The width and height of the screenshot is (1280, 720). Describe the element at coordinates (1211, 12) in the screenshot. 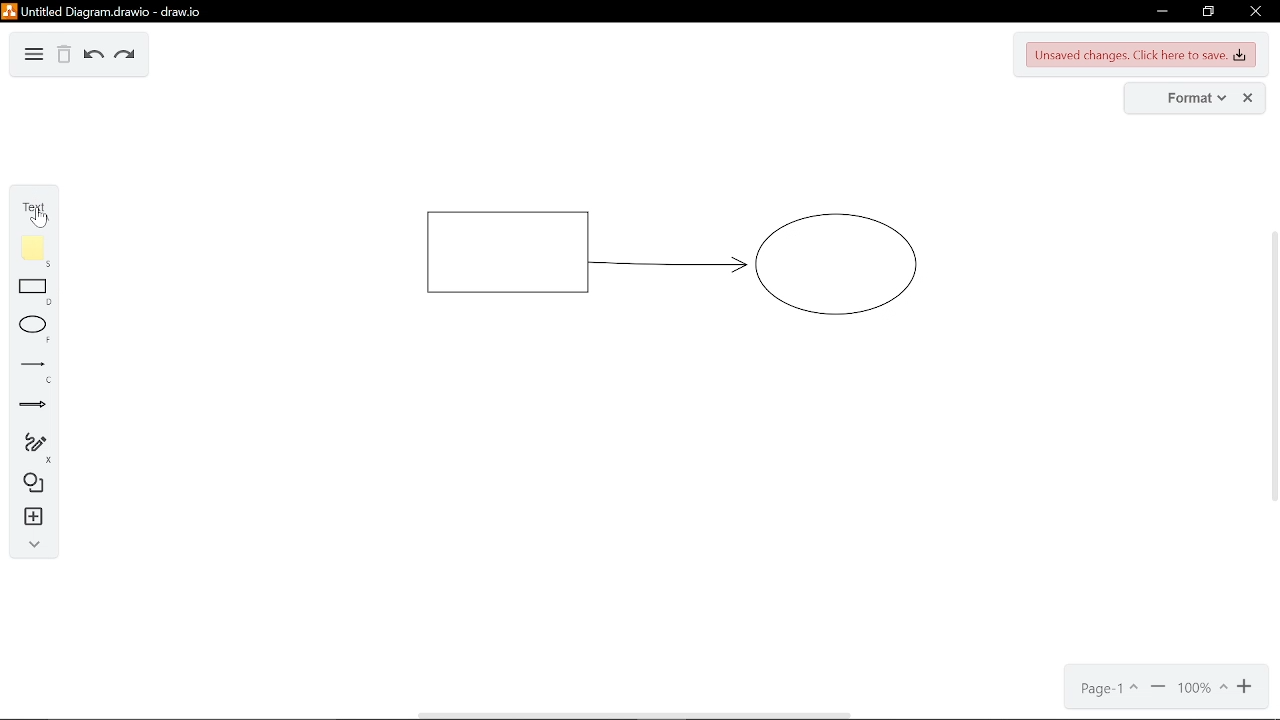

I see `restore down` at that location.